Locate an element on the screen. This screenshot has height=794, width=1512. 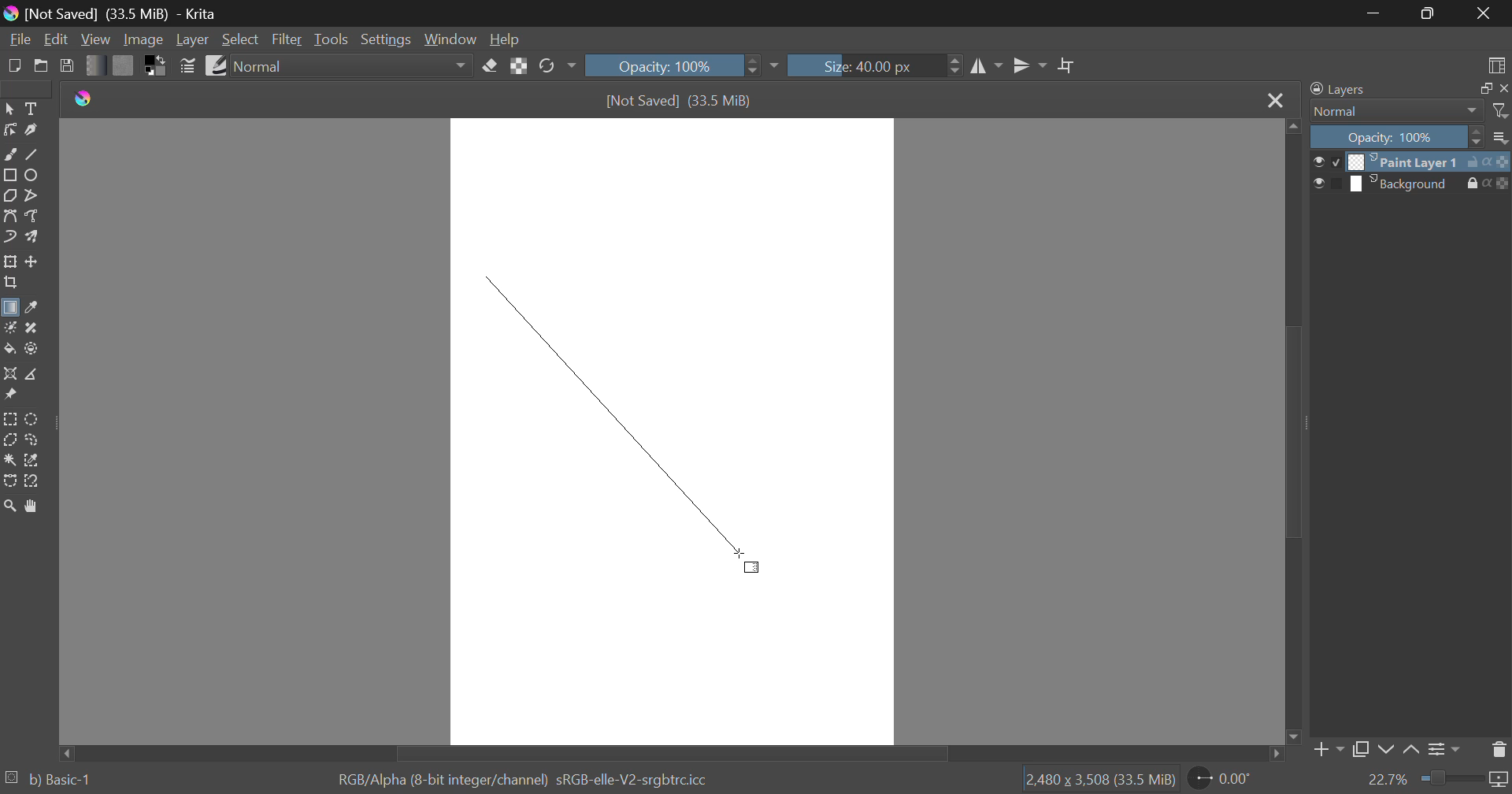
Add Layer is located at coordinates (1327, 753).